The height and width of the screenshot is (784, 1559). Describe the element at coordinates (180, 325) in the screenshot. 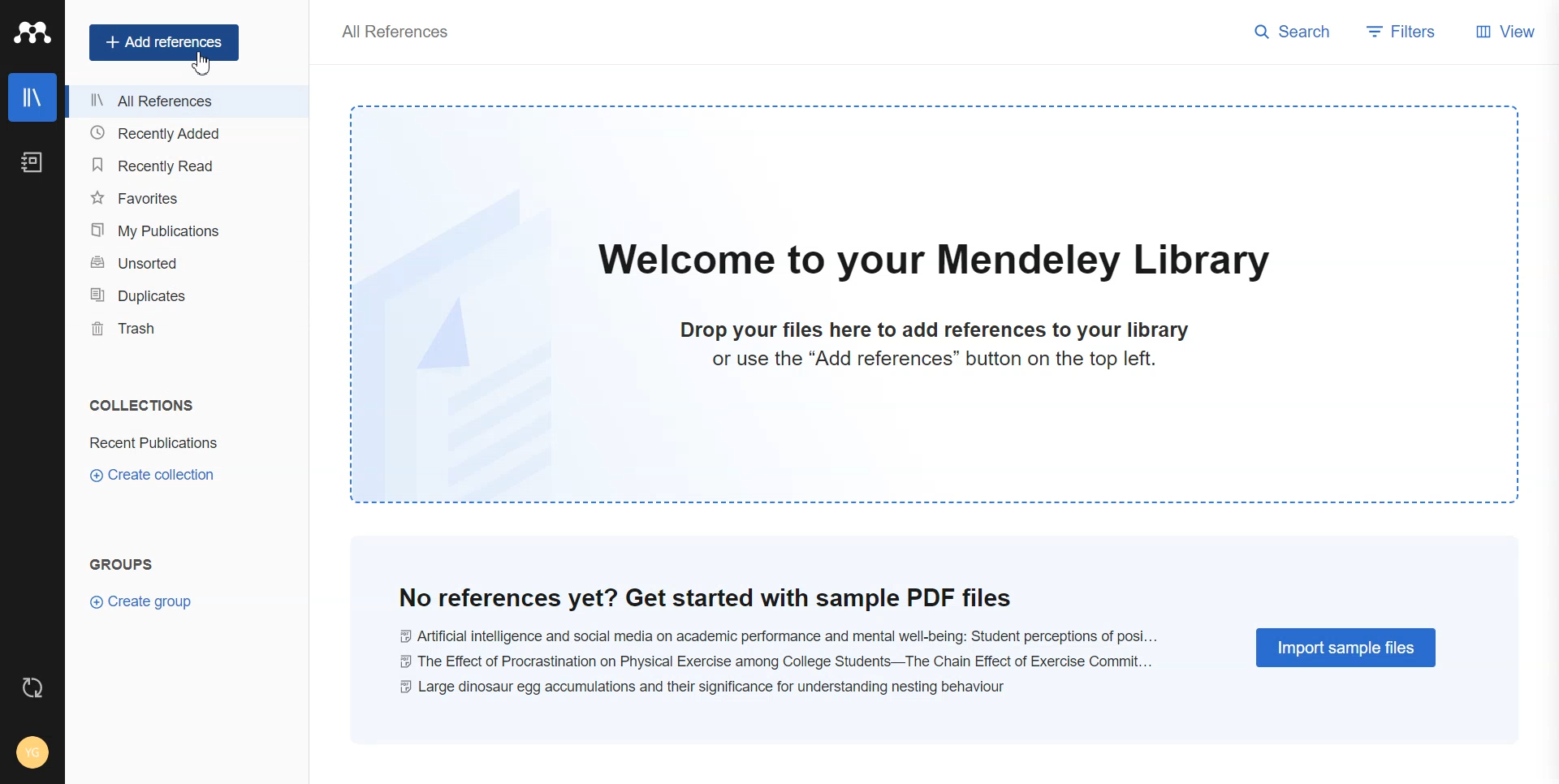

I see `Trash` at that location.